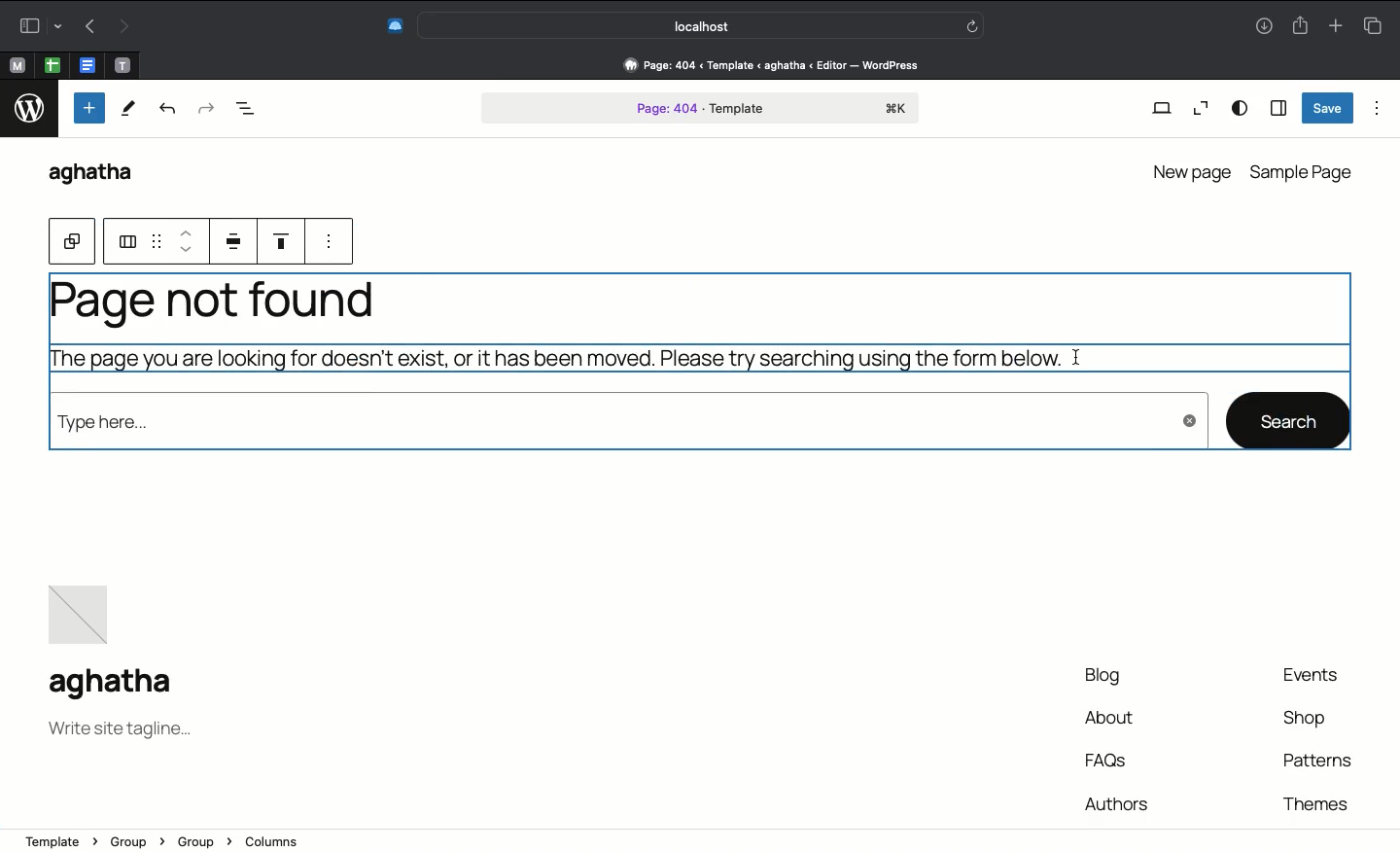 The image size is (1400, 852). What do you see at coordinates (186, 239) in the screenshot?
I see `move up & down` at bounding box center [186, 239].